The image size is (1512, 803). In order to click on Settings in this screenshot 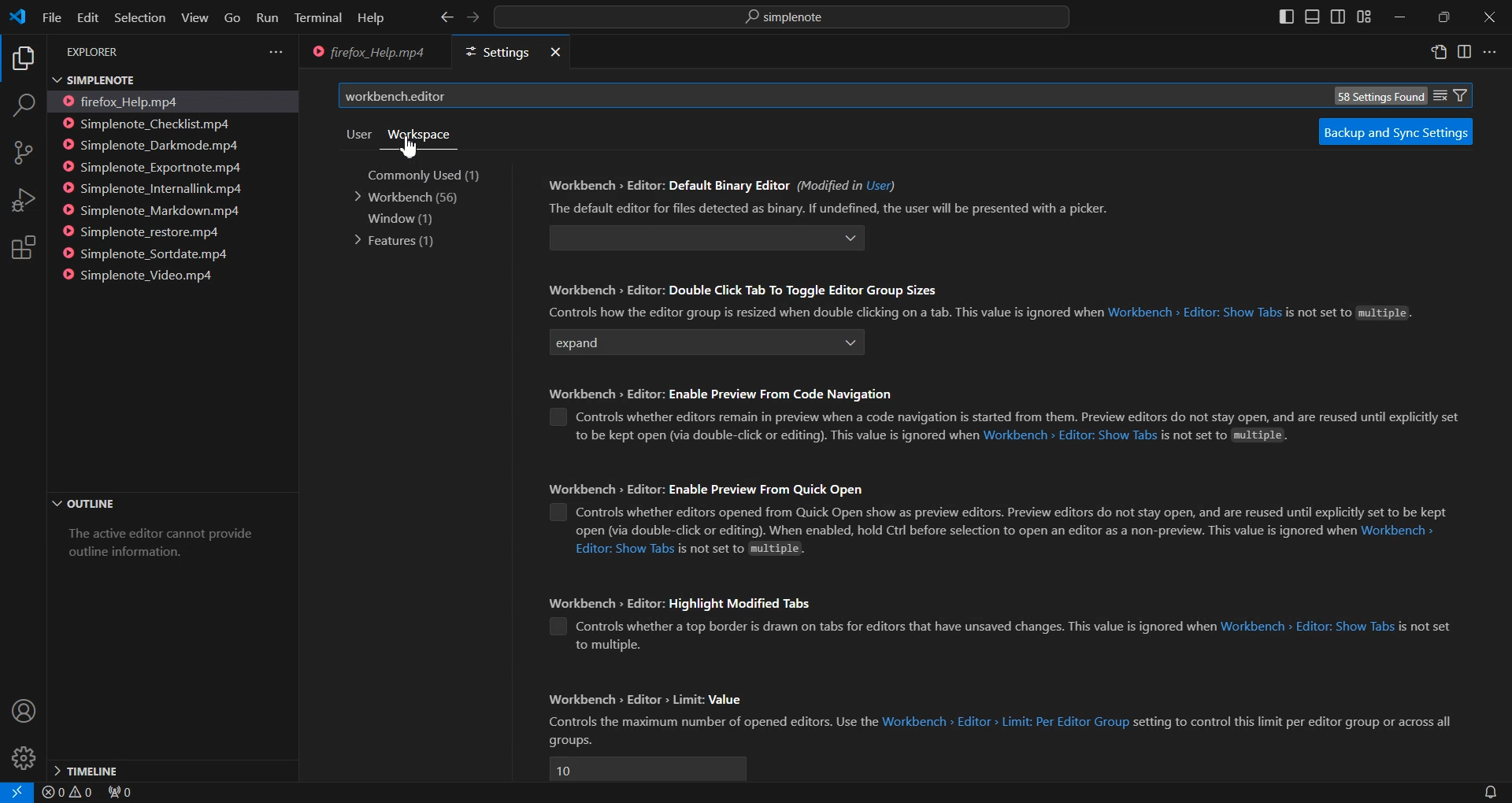, I will do `click(493, 53)`.